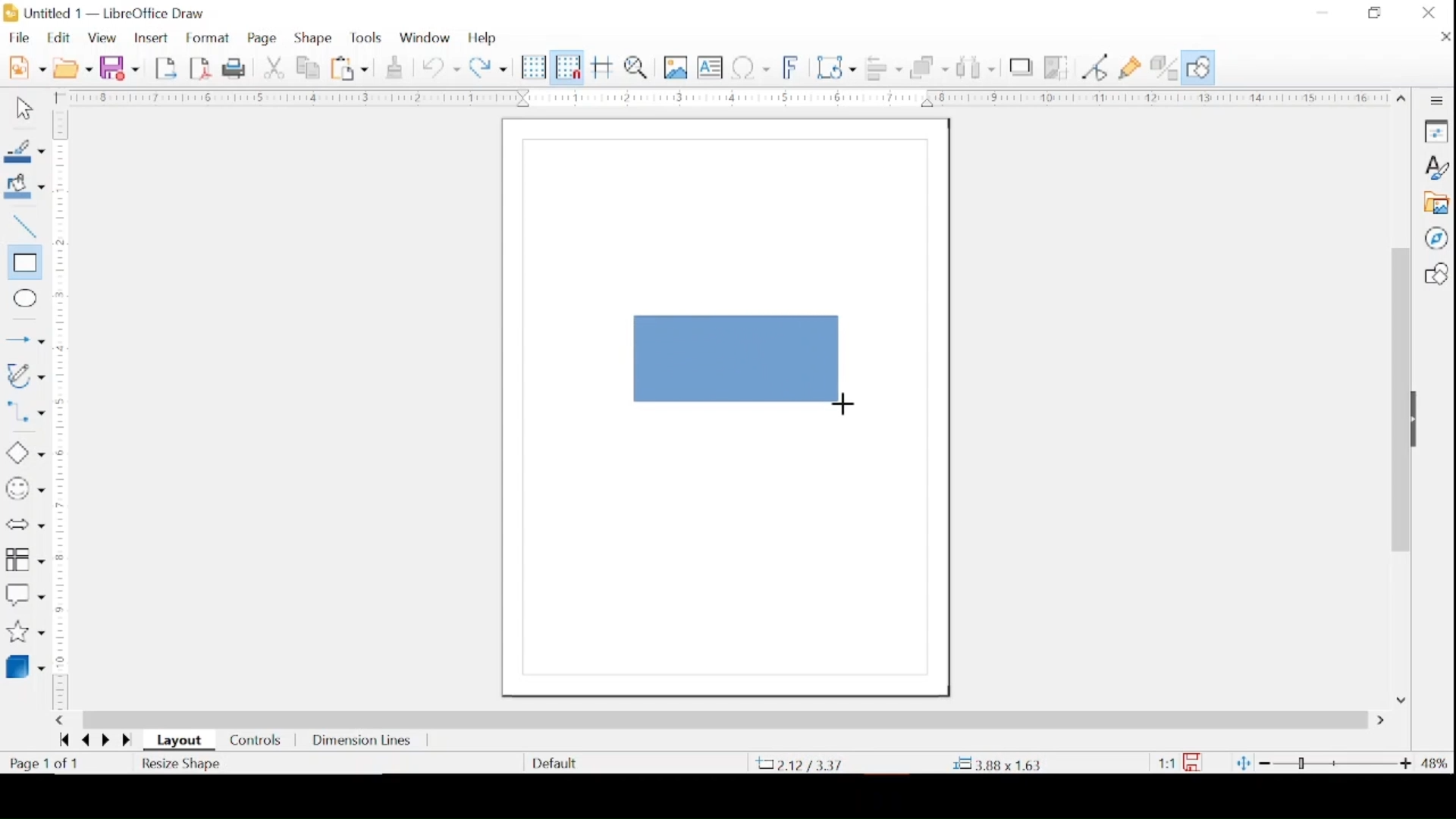 The height and width of the screenshot is (819, 1456). Describe the element at coordinates (1384, 721) in the screenshot. I see `scroll right arrow` at that location.